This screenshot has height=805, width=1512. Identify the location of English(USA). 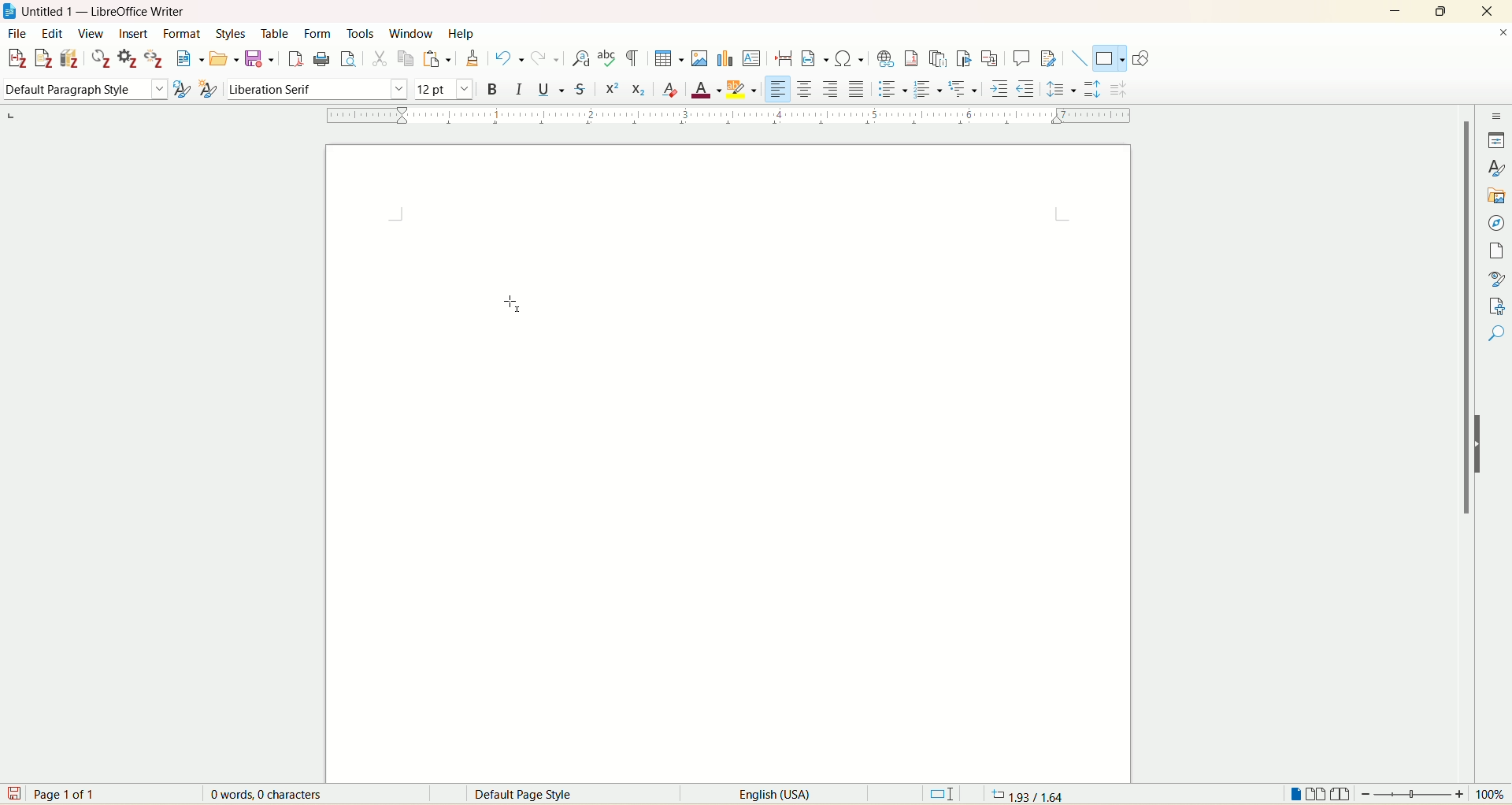
(763, 794).